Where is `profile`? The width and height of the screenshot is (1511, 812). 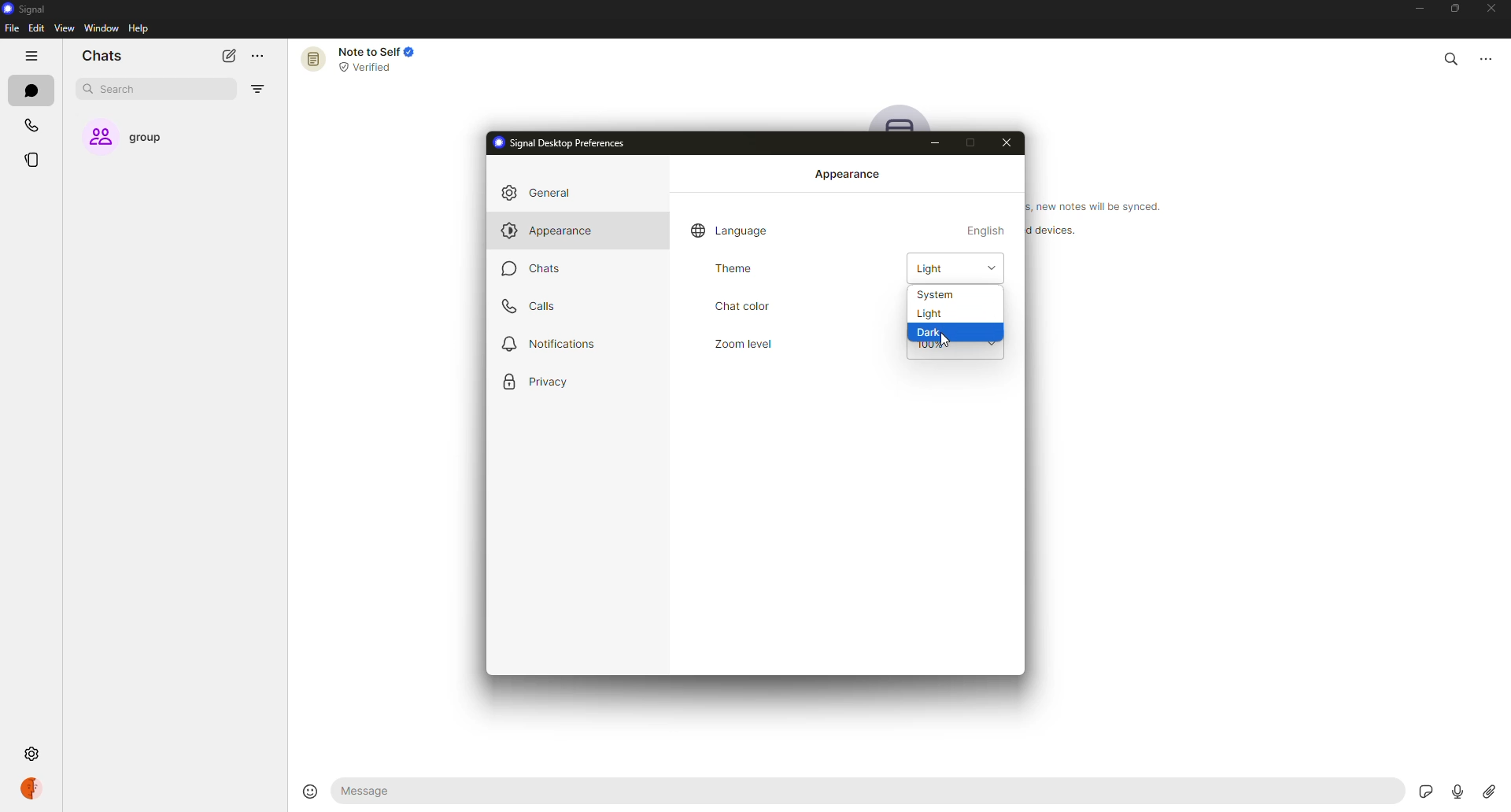 profile is located at coordinates (31, 788).